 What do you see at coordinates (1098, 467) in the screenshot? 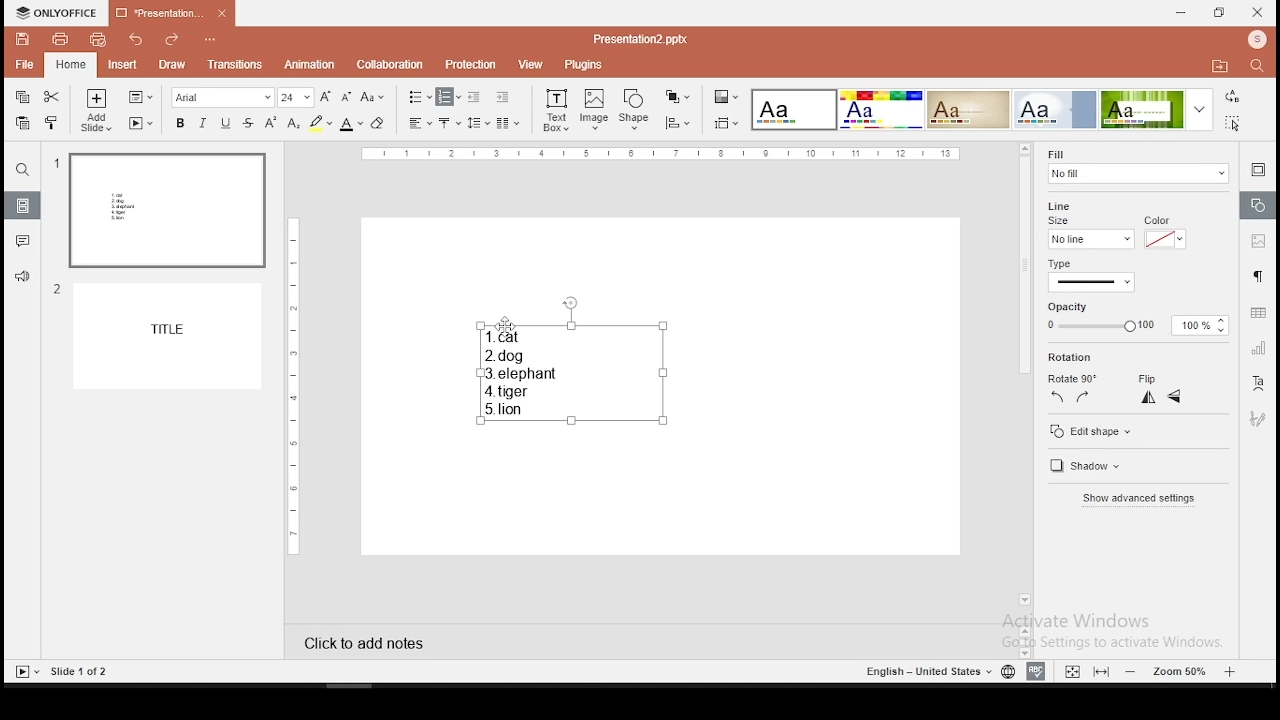
I see `shadow` at bounding box center [1098, 467].